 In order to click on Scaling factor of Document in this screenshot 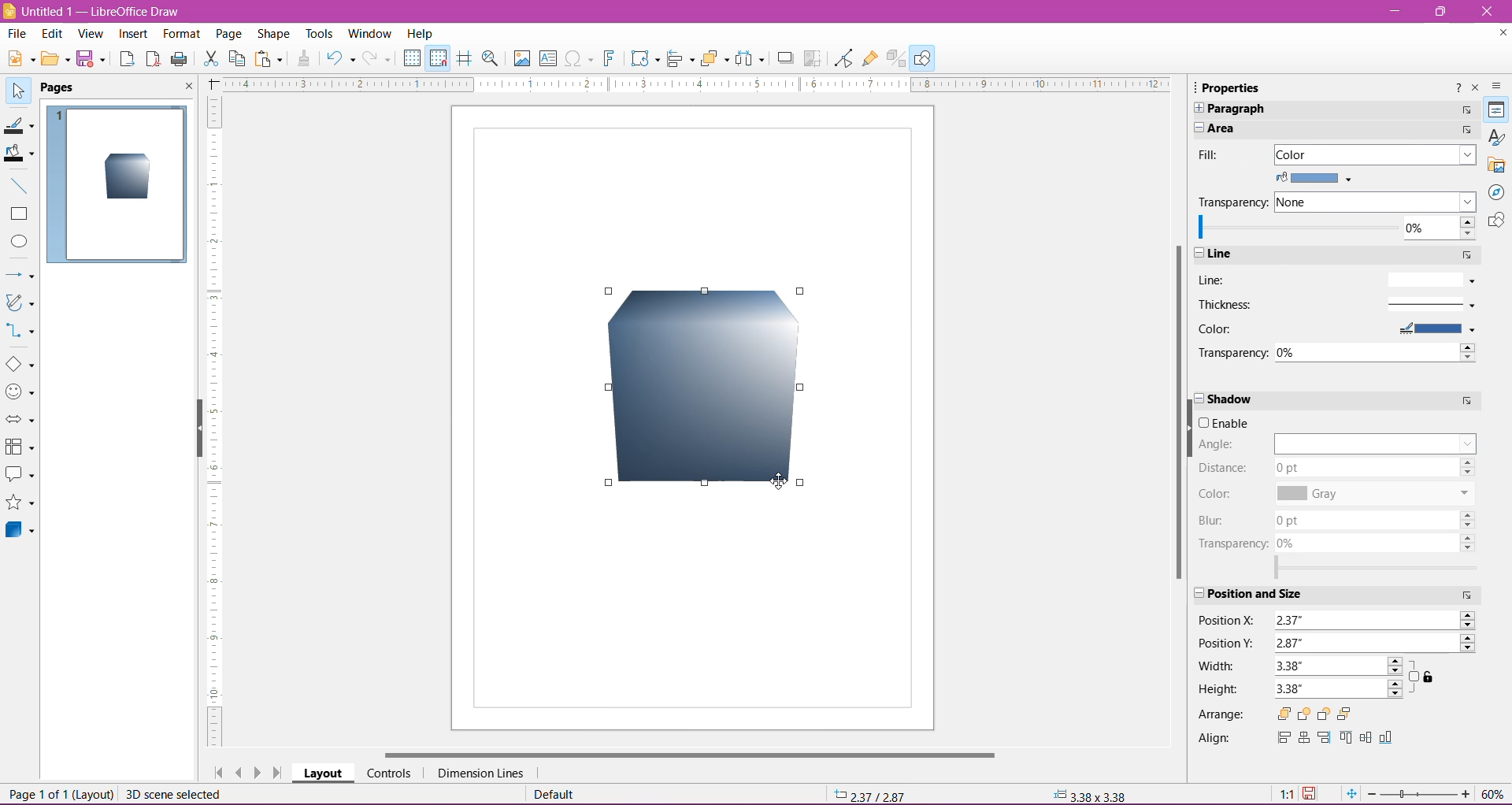, I will do `click(1286, 795)`.